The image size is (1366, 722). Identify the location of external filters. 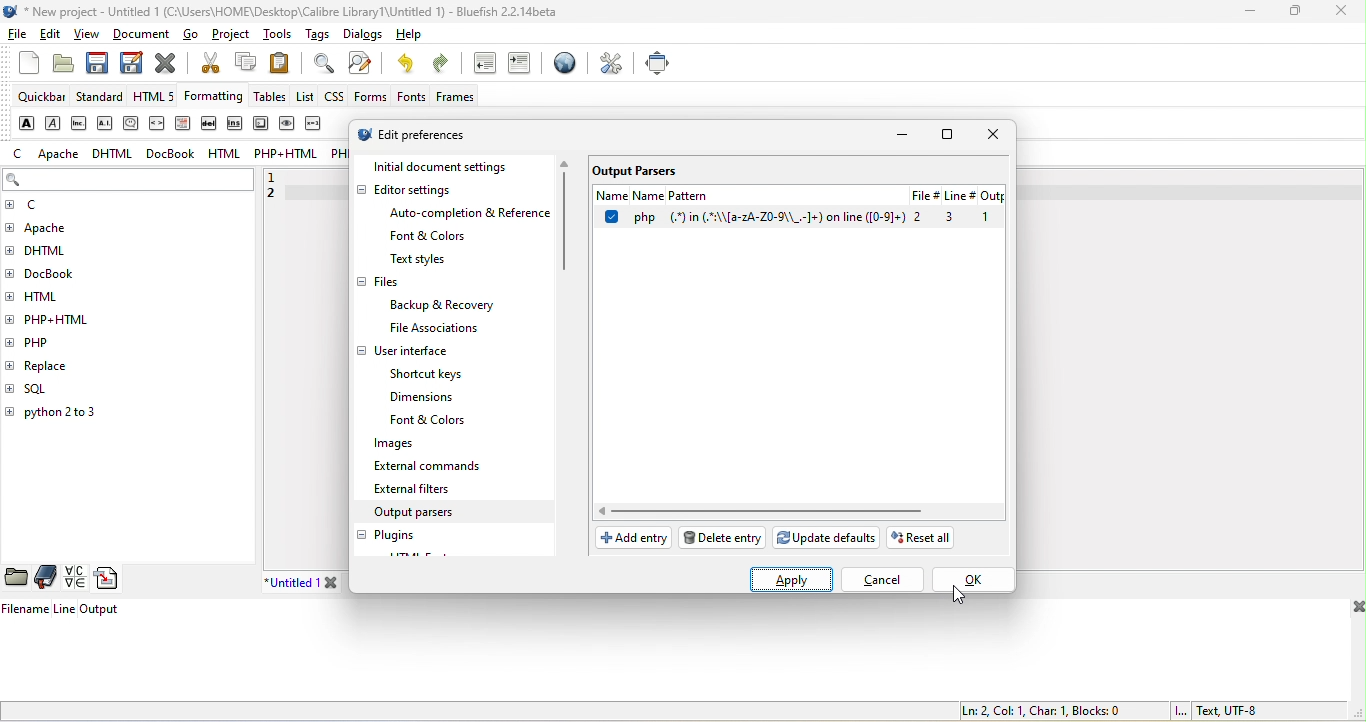
(415, 489).